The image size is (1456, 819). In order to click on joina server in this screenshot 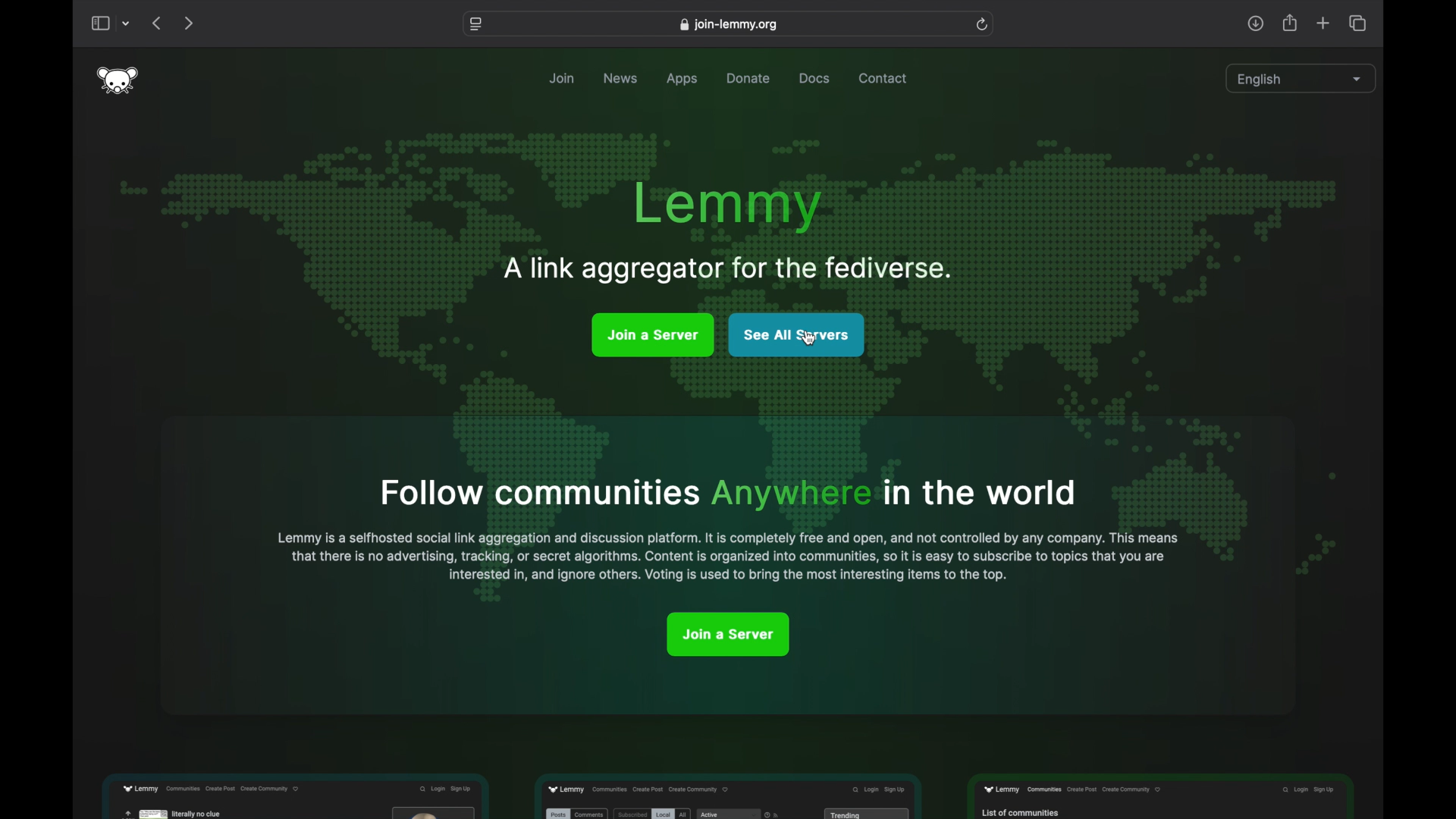, I will do `click(728, 635)`.